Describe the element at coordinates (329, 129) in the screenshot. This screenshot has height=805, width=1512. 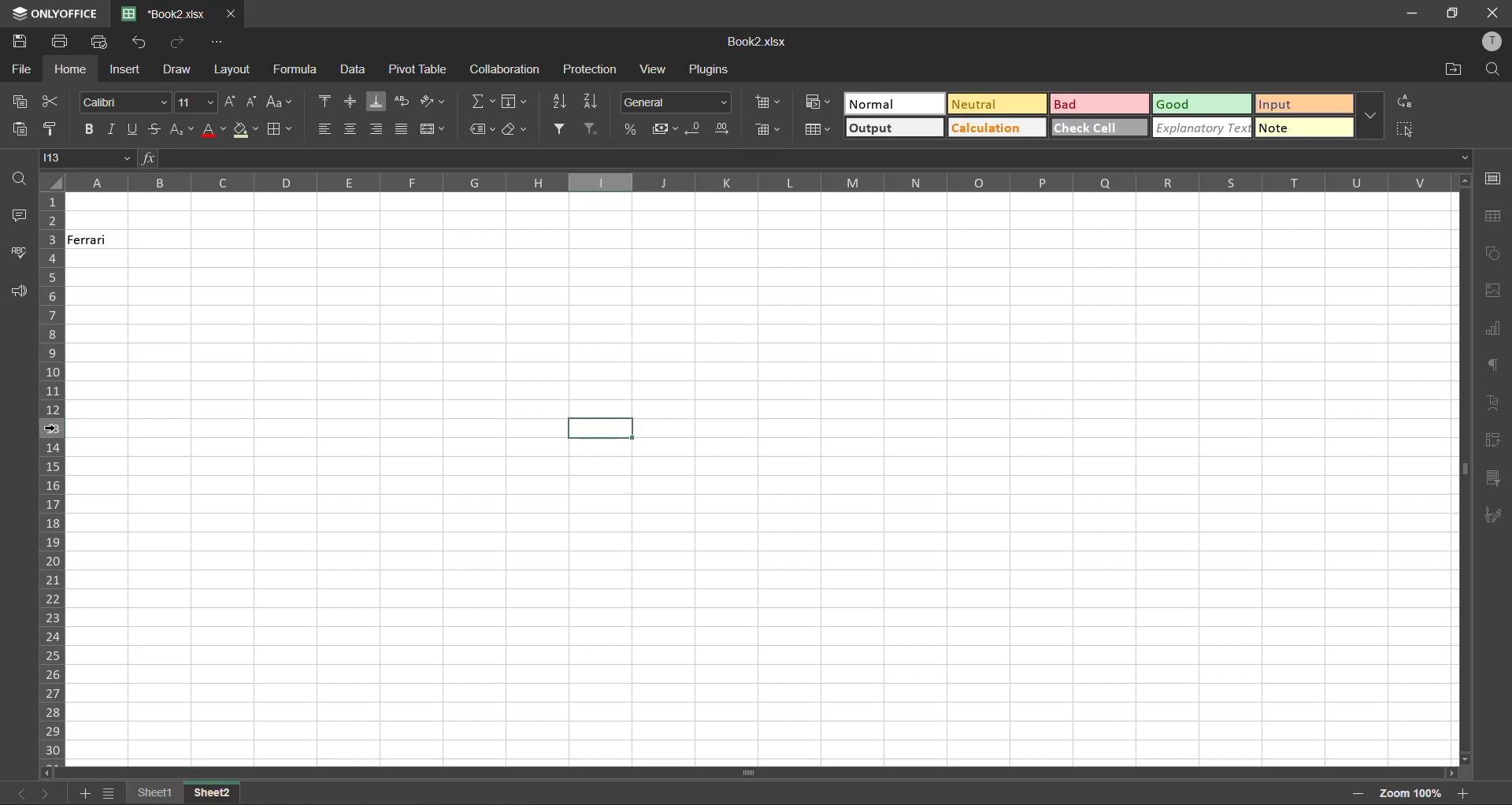
I see `align left` at that location.